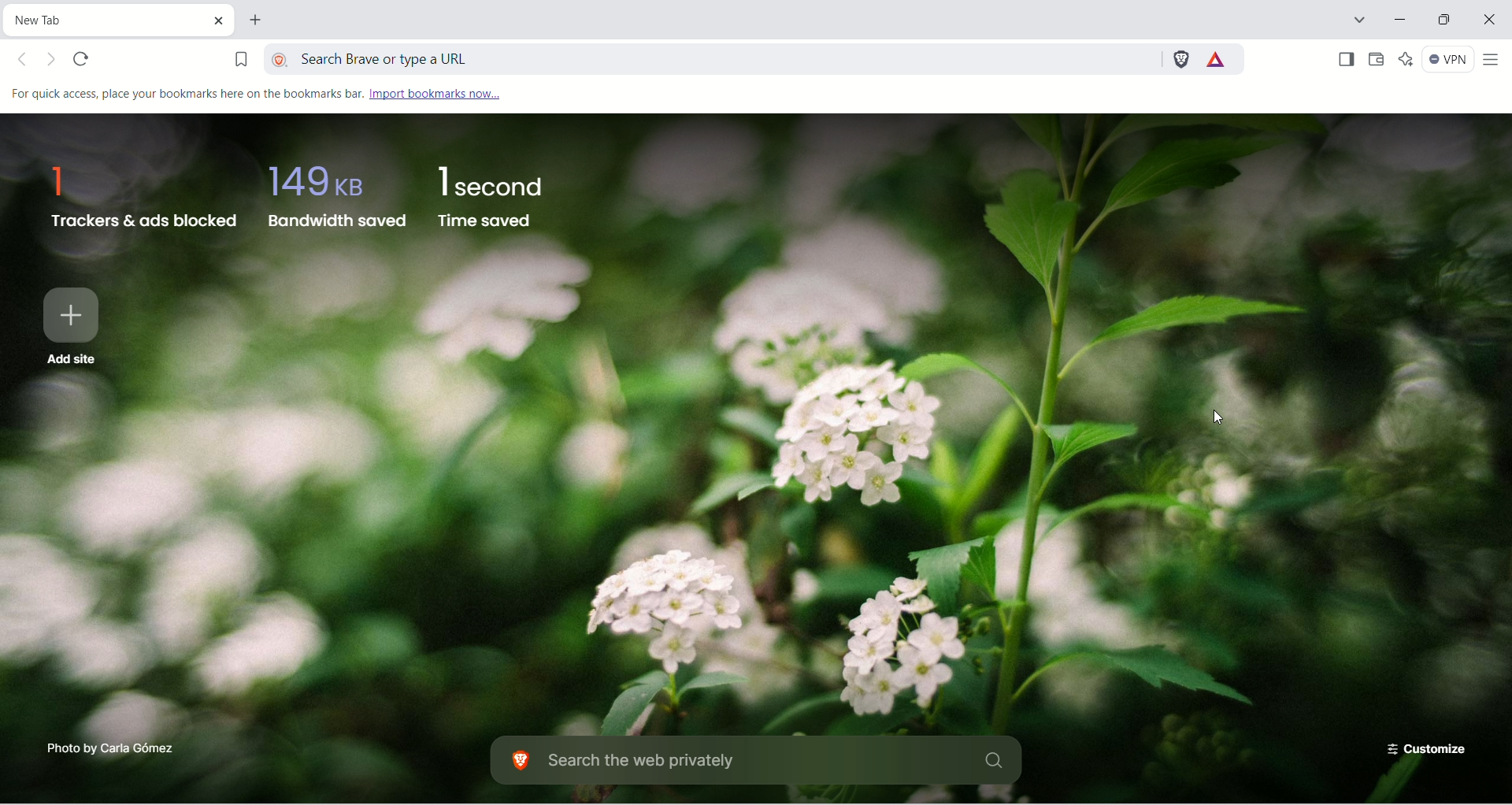 The height and width of the screenshot is (805, 1512). I want to click on wallet, so click(1379, 61).